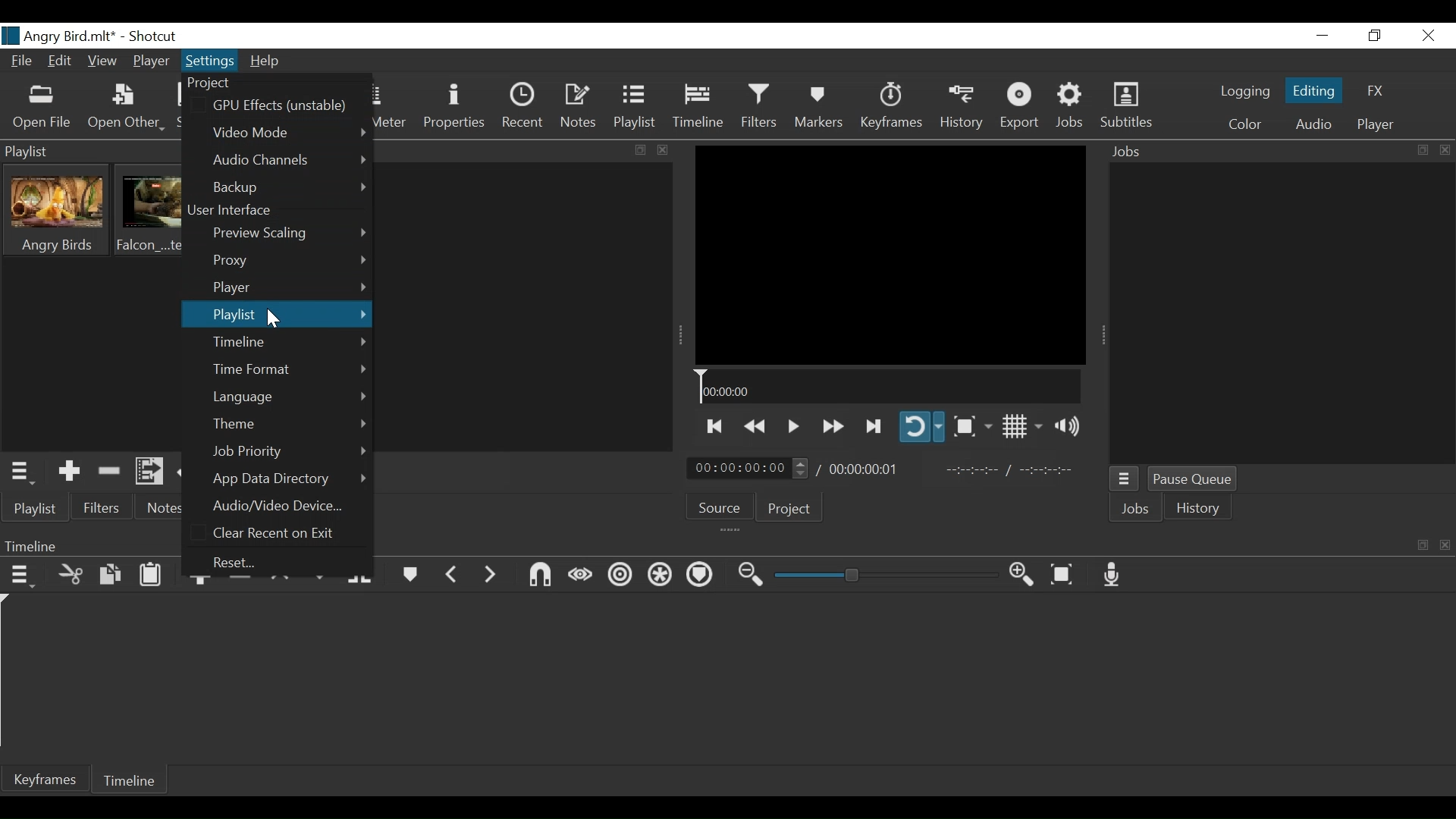 Image resolution: width=1456 pixels, height=819 pixels. I want to click on Next marker, so click(489, 580).